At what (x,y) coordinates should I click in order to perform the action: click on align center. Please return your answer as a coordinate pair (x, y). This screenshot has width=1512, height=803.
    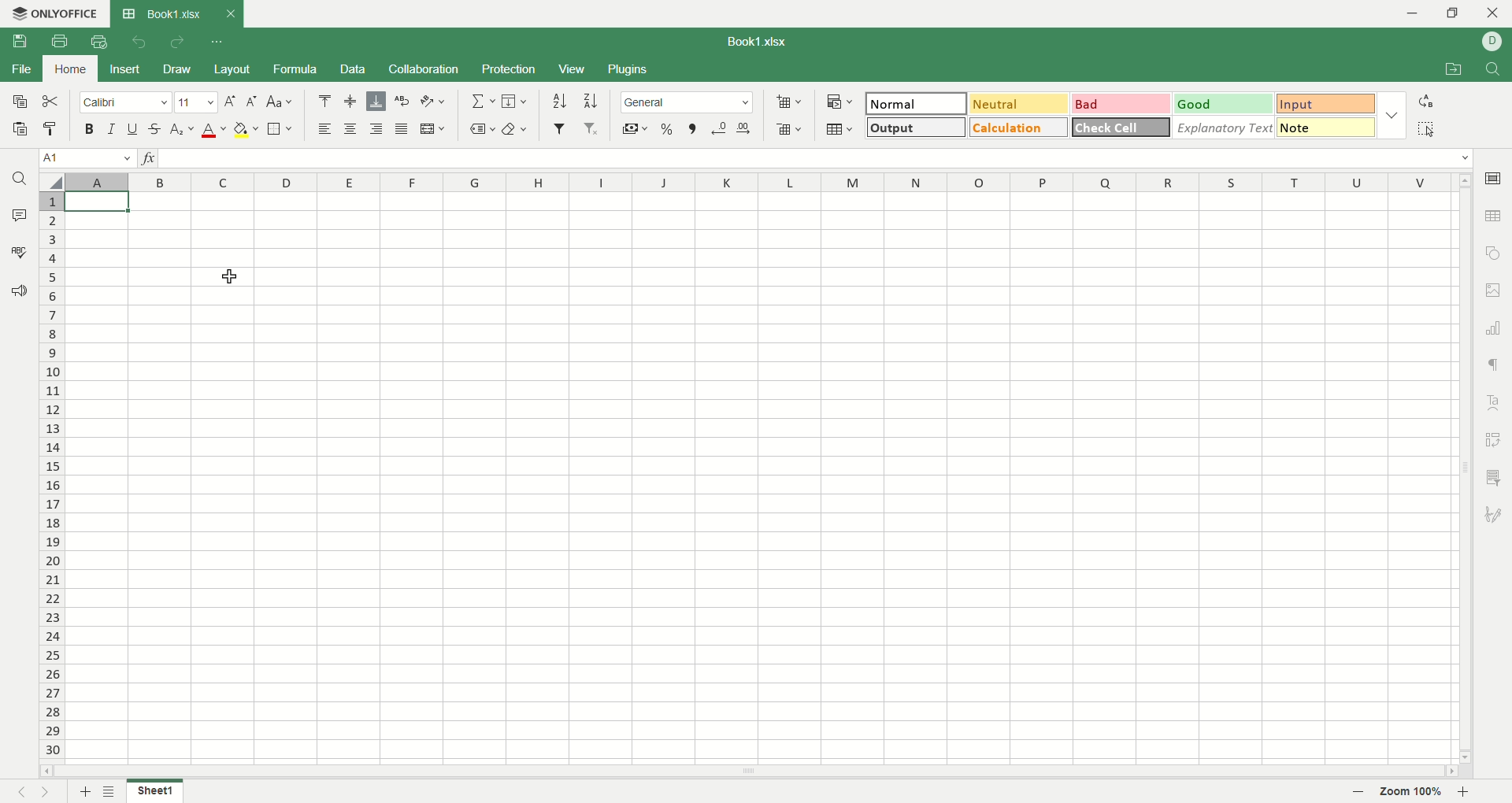
    Looking at the image, I should click on (351, 102).